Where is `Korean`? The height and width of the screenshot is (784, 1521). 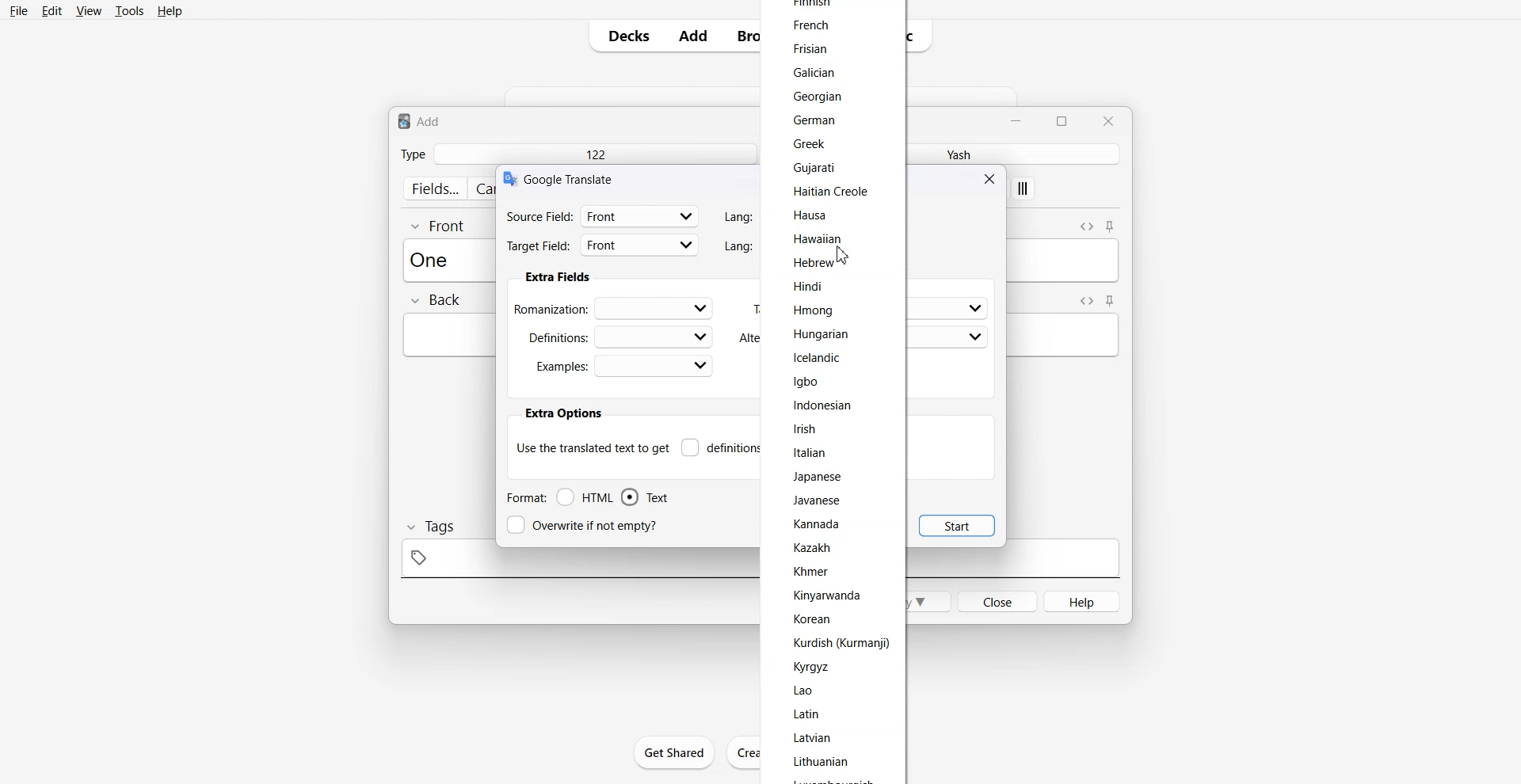
Korean is located at coordinates (811, 618).